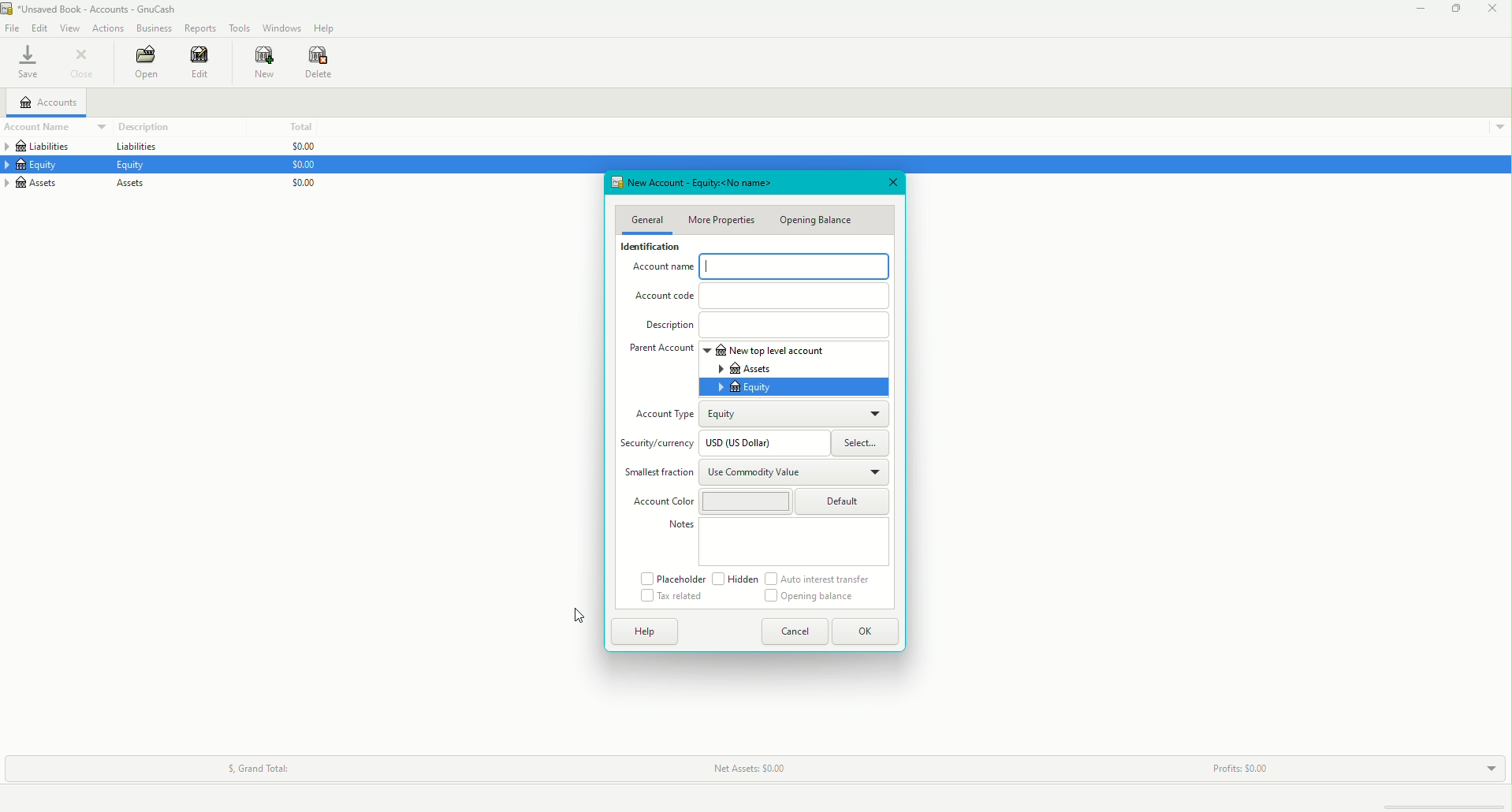 This screenshot has width=1512, height=812. I want to click on Assets, so click(806, 369).